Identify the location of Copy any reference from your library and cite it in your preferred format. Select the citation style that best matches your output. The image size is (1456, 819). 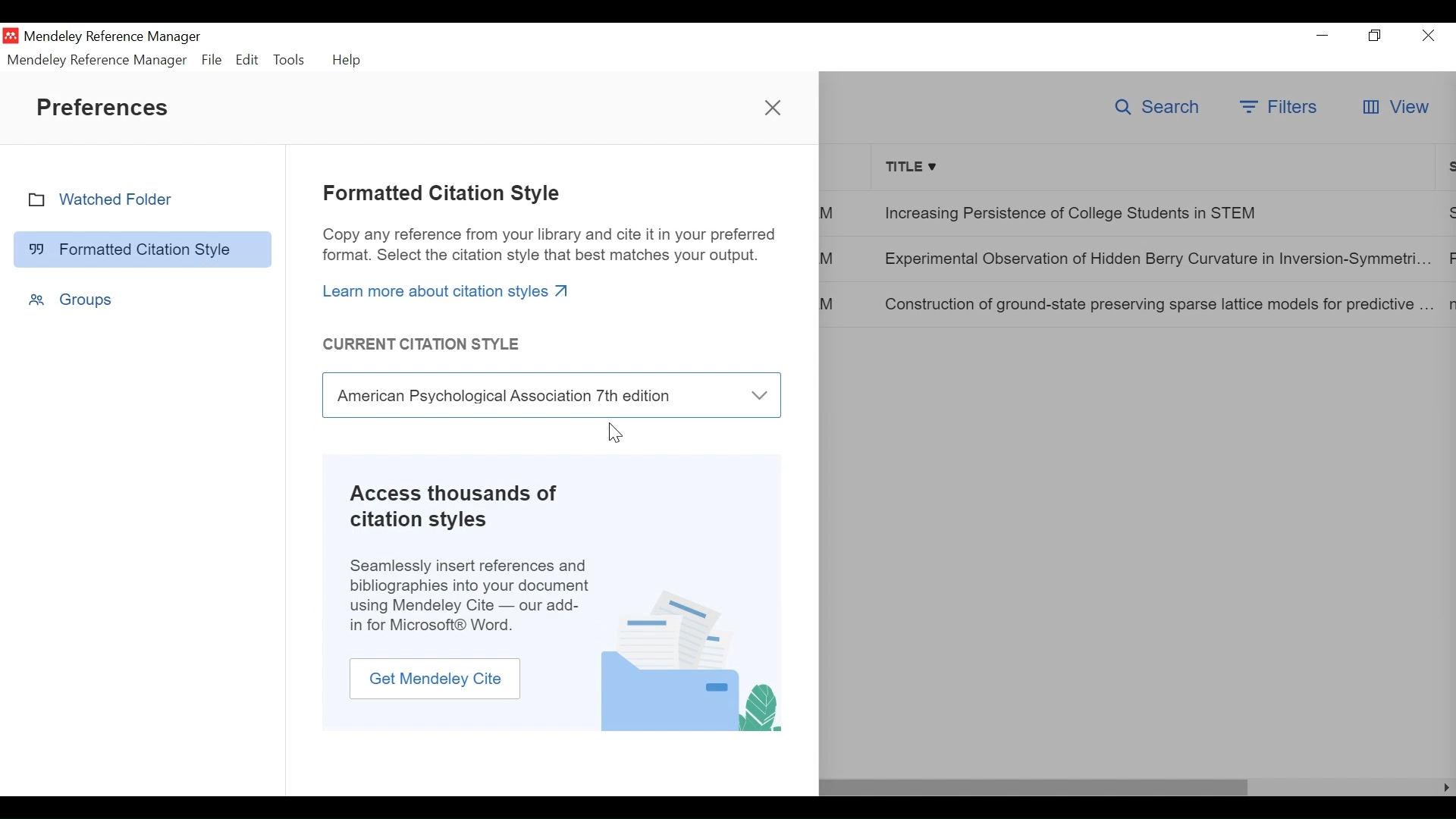
(549, 246).